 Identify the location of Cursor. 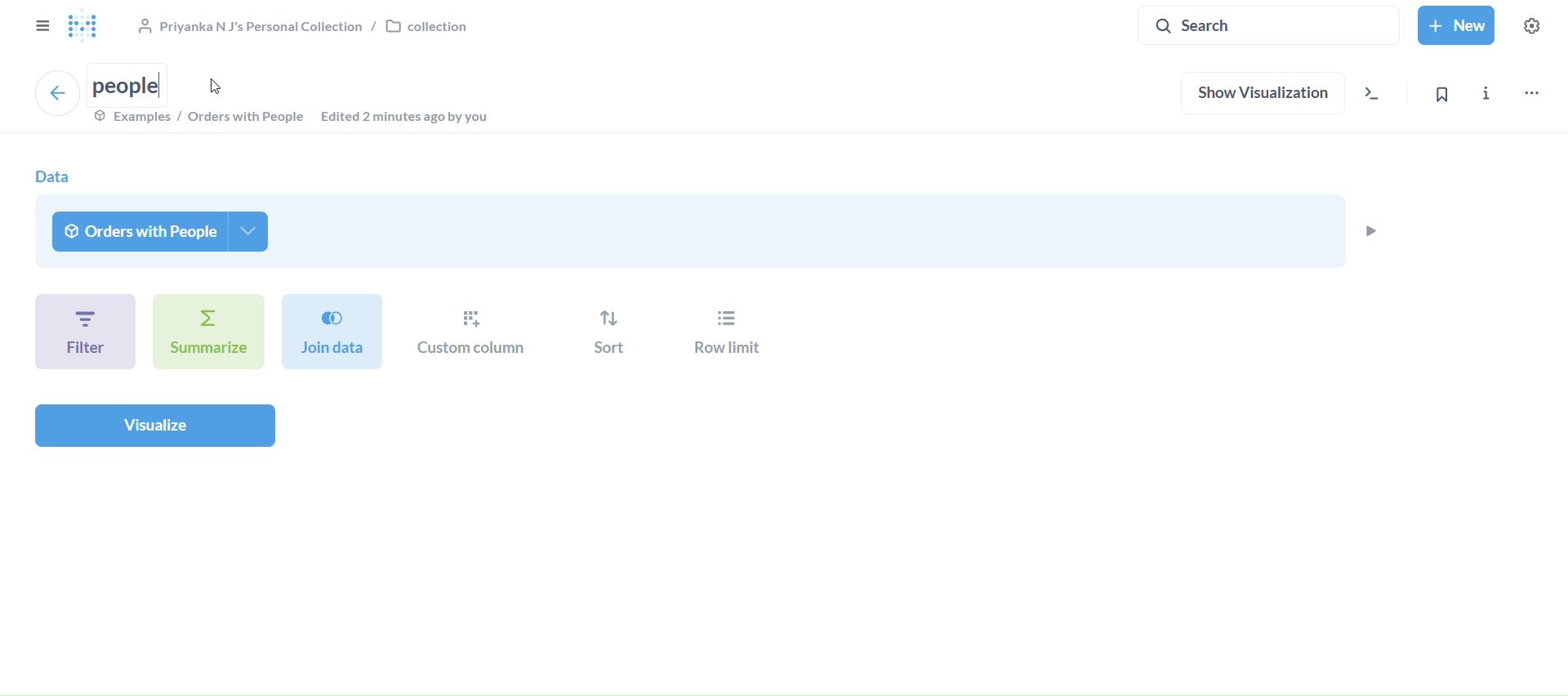
(216, 86).